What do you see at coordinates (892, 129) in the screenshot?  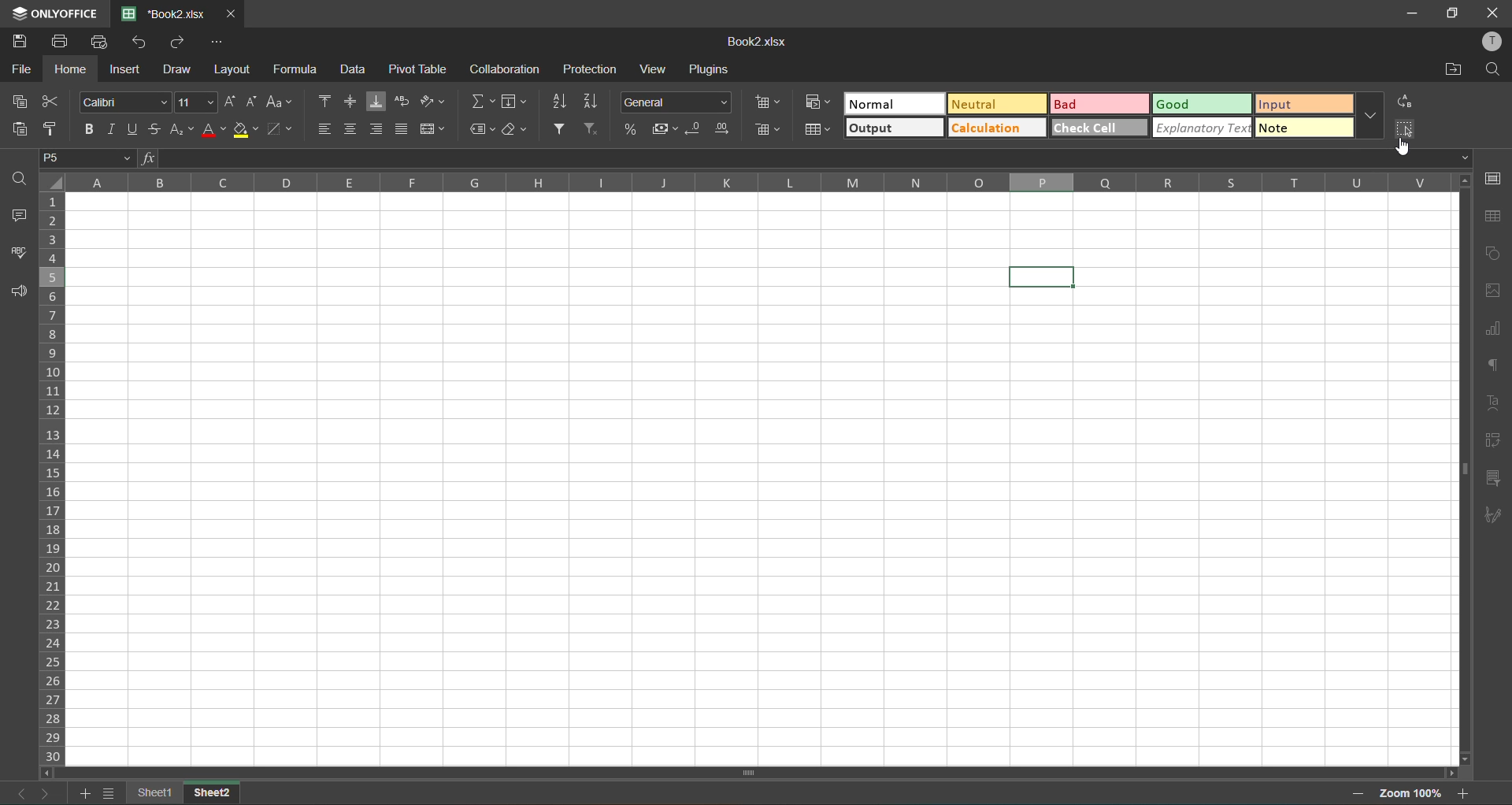 I see `output` at bounding box center [892, 129].